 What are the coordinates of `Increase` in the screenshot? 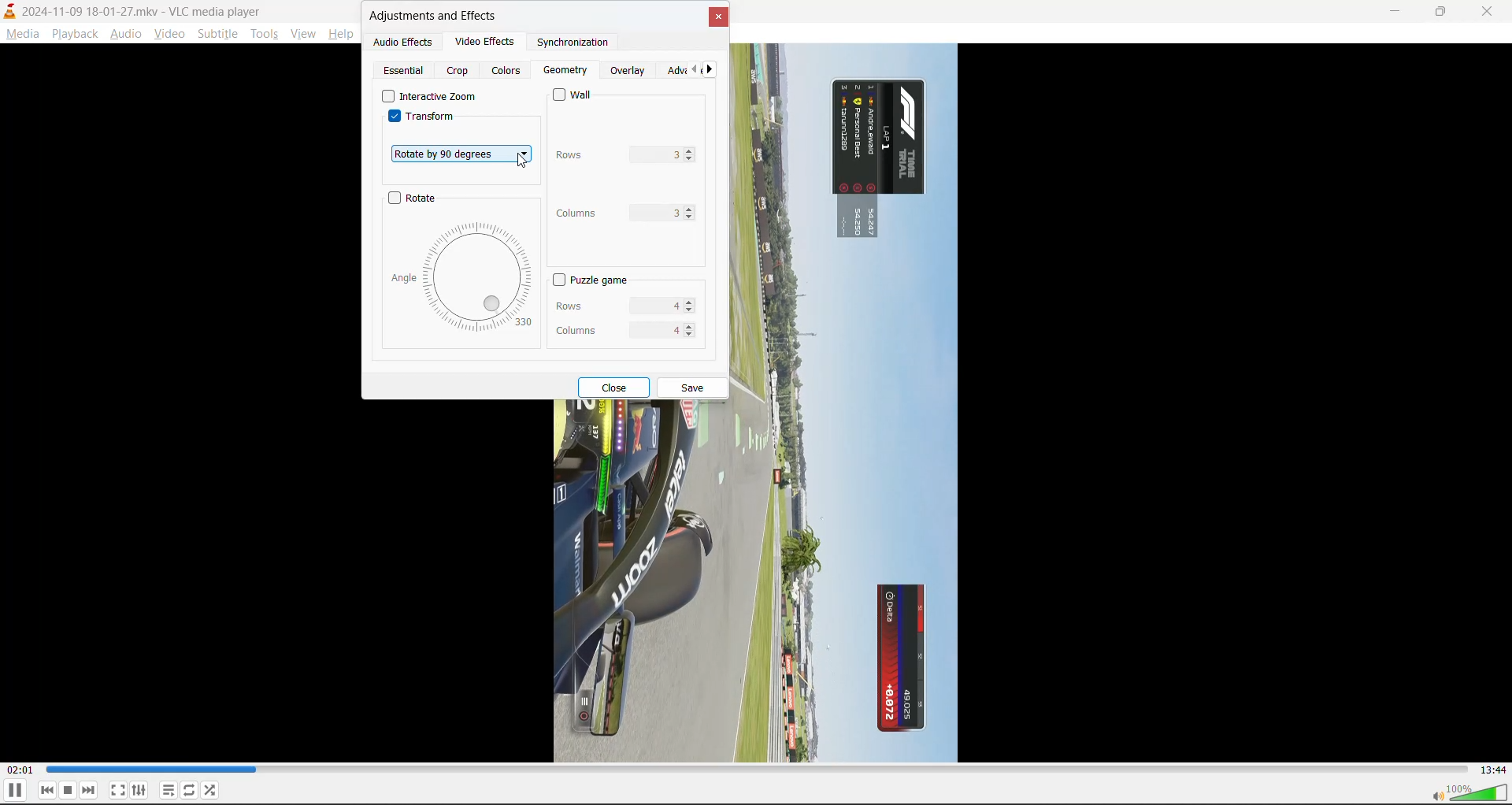 It's located at (689, 325).